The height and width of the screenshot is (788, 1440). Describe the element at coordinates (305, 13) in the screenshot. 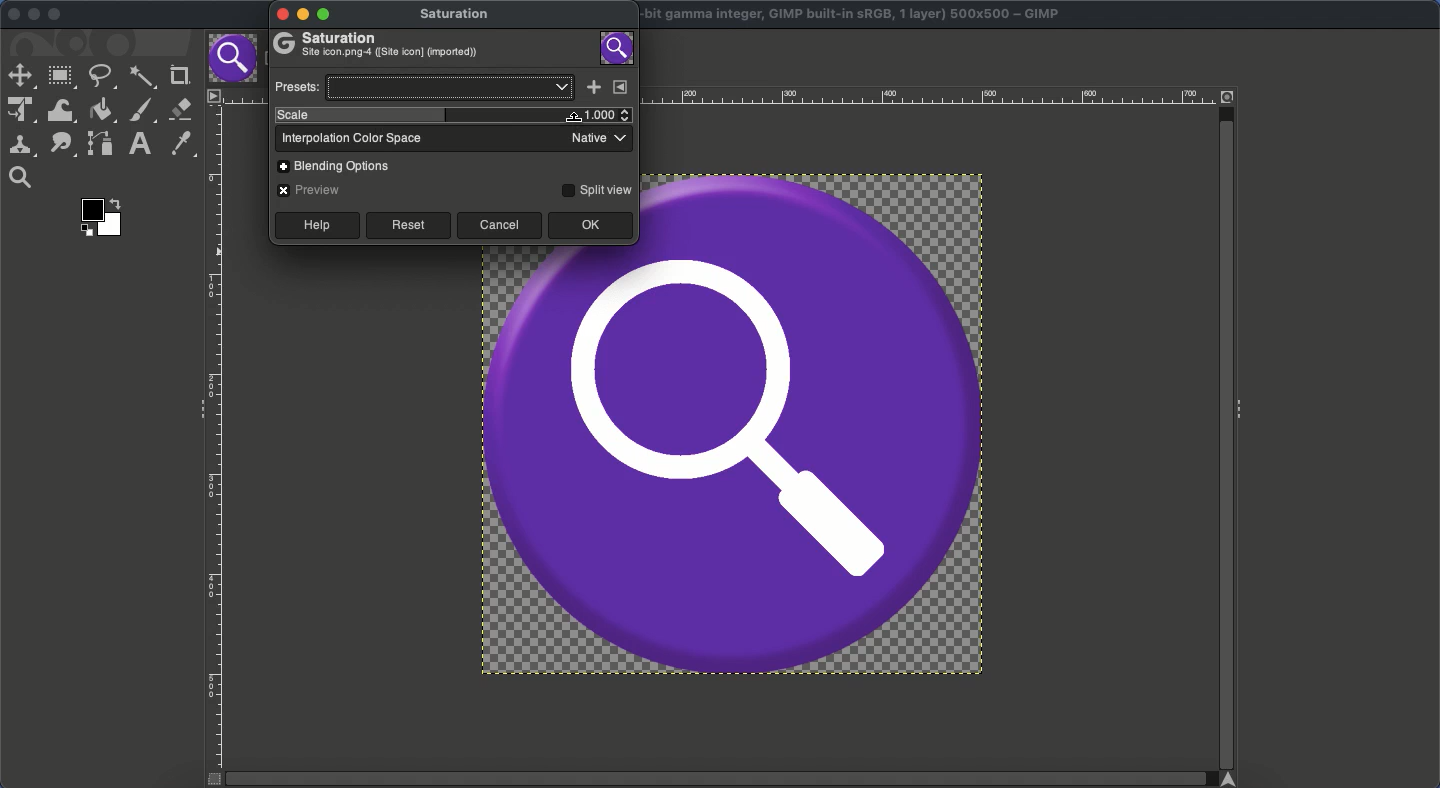

I see `minimize` at that location.